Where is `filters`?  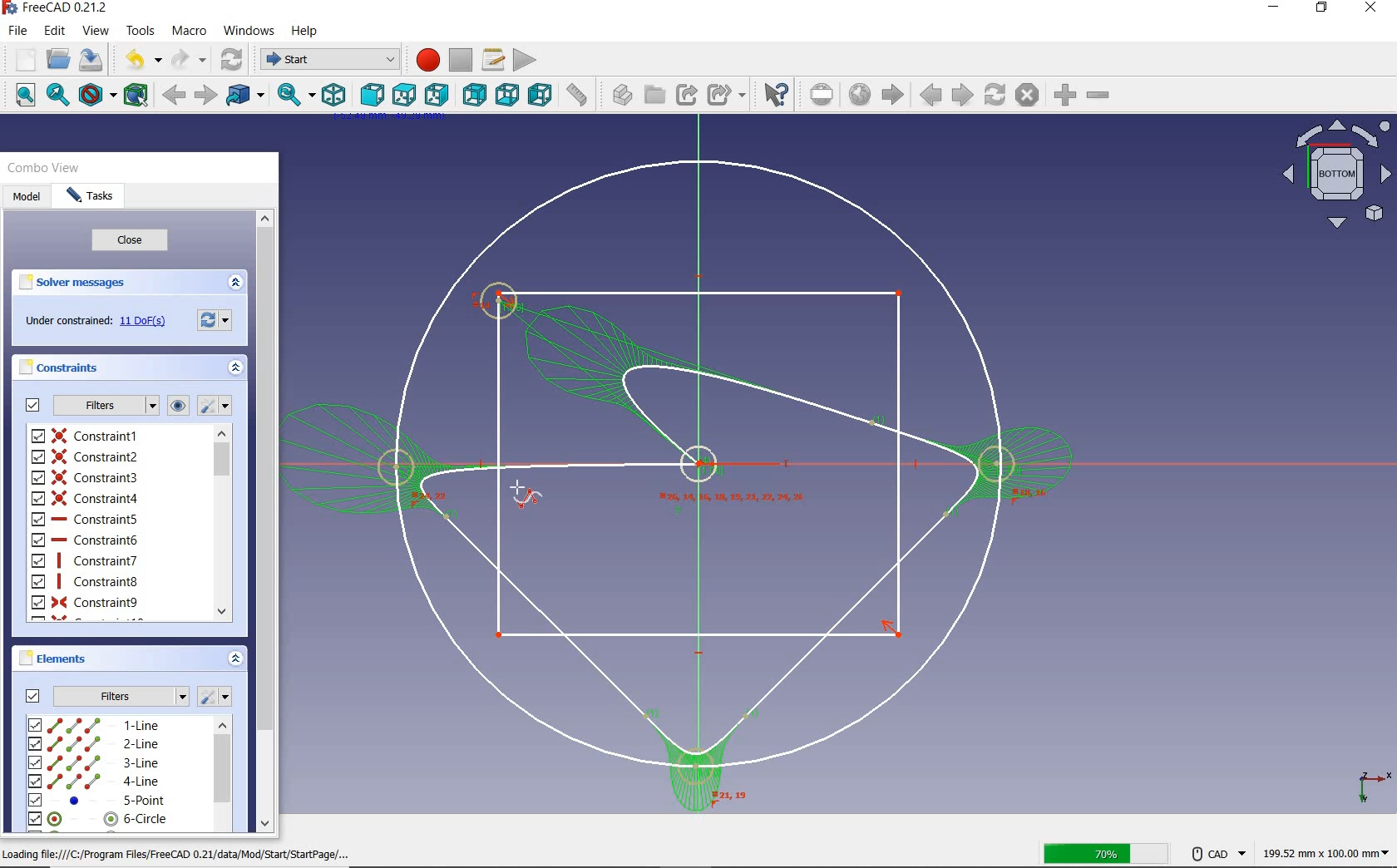
filters is located at coordinates (101, 695).